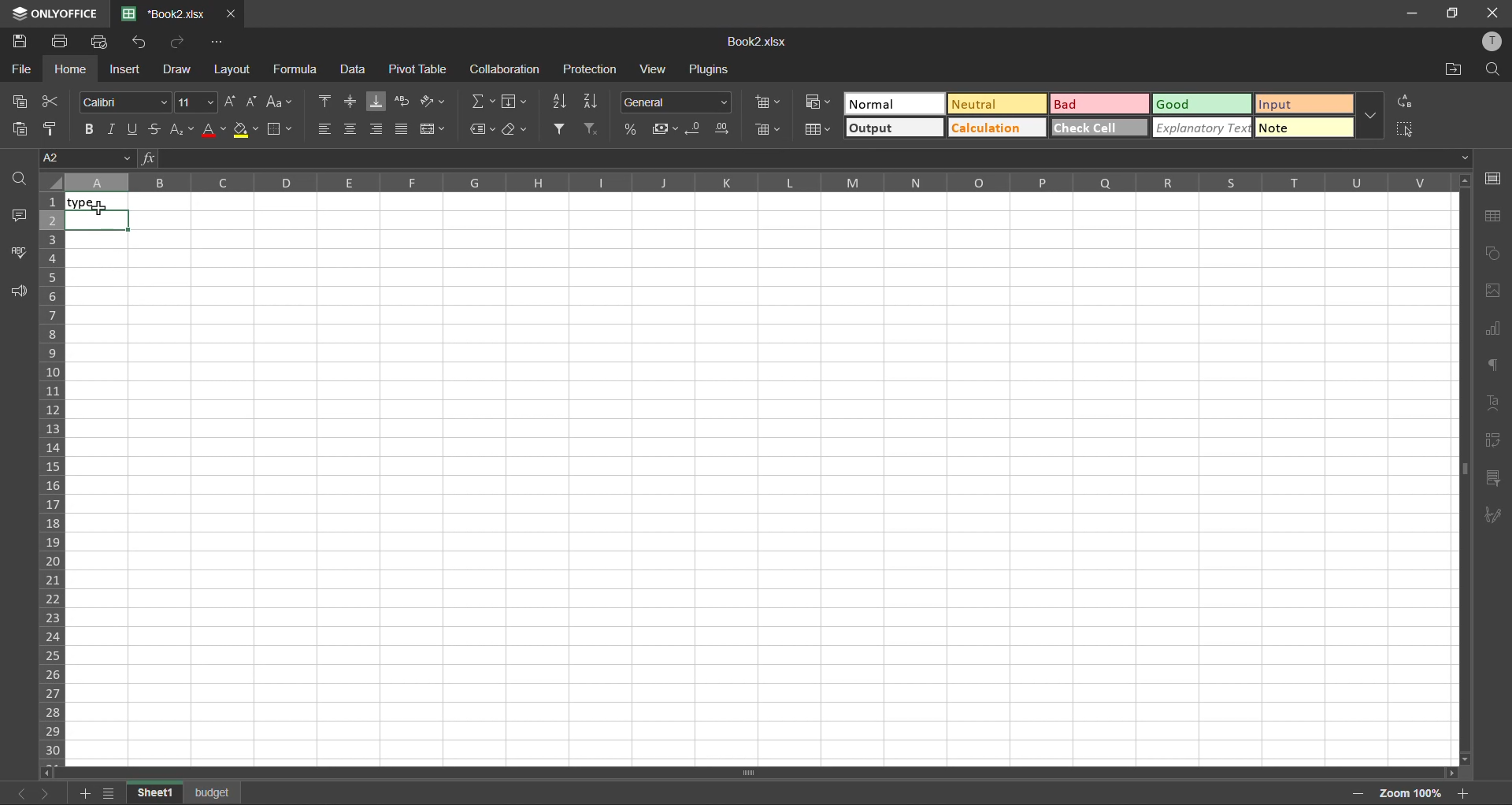  What do you see at coordinates (1497, 42) in the screenshot?
I see `profile` at bounding box center [1497, 42].